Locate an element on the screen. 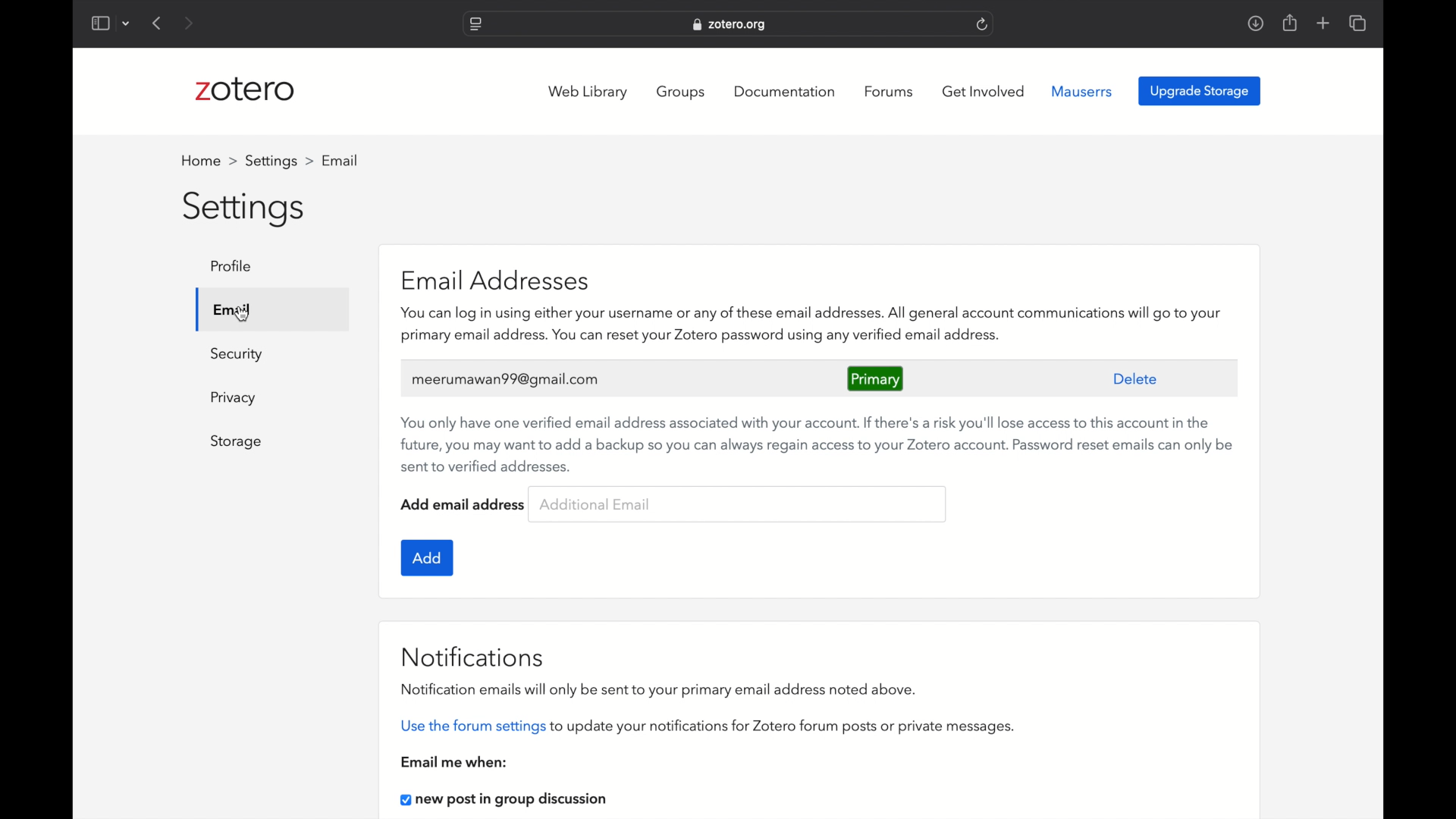 The width and height of the screenshot is (1456, 819). forums is located at coordinates (889, 92).